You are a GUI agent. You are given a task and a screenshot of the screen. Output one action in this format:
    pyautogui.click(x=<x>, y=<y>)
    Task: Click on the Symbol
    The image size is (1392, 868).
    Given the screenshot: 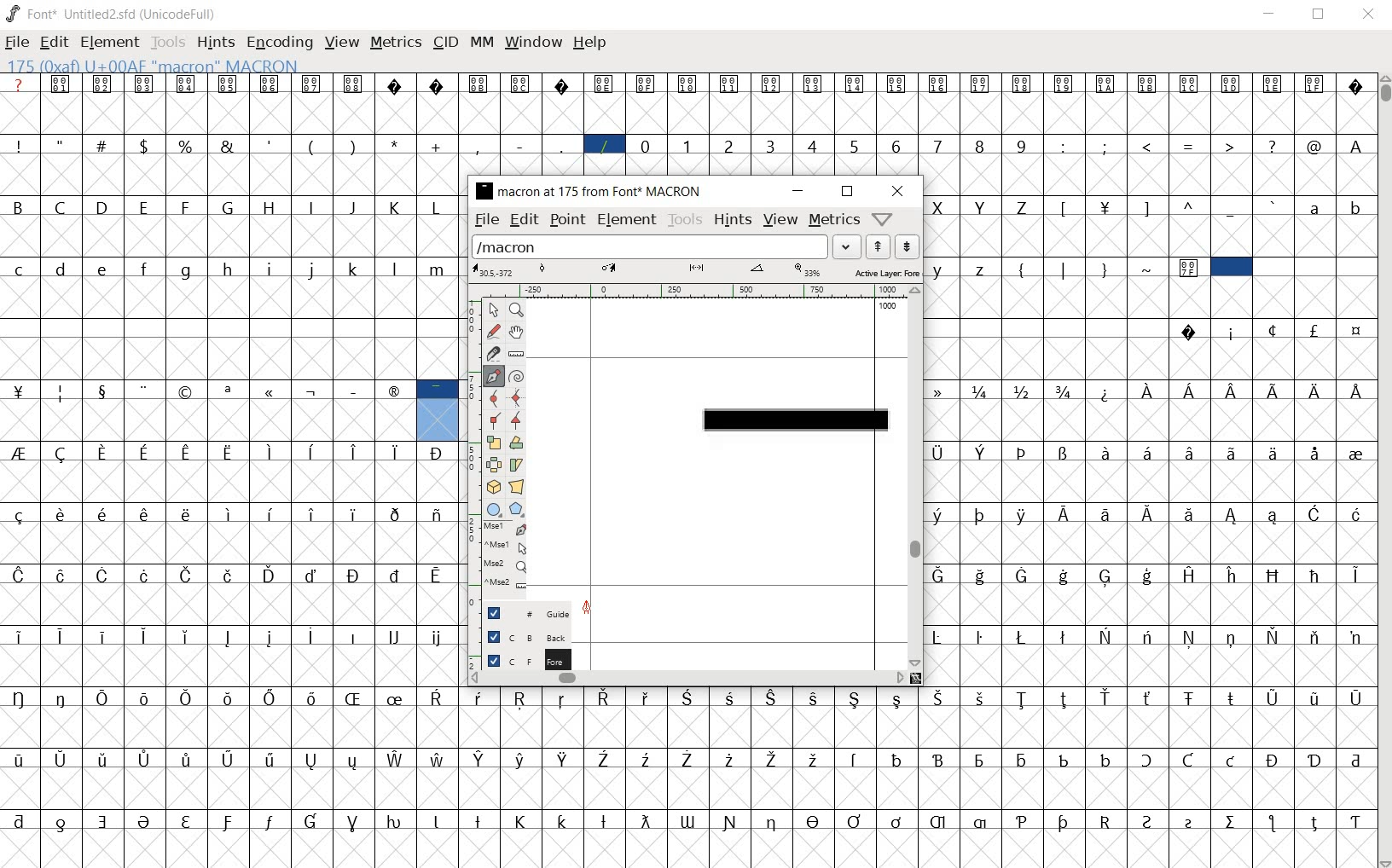 What is the action you would take?
    pyautogui.click(x=940, y=697)
    